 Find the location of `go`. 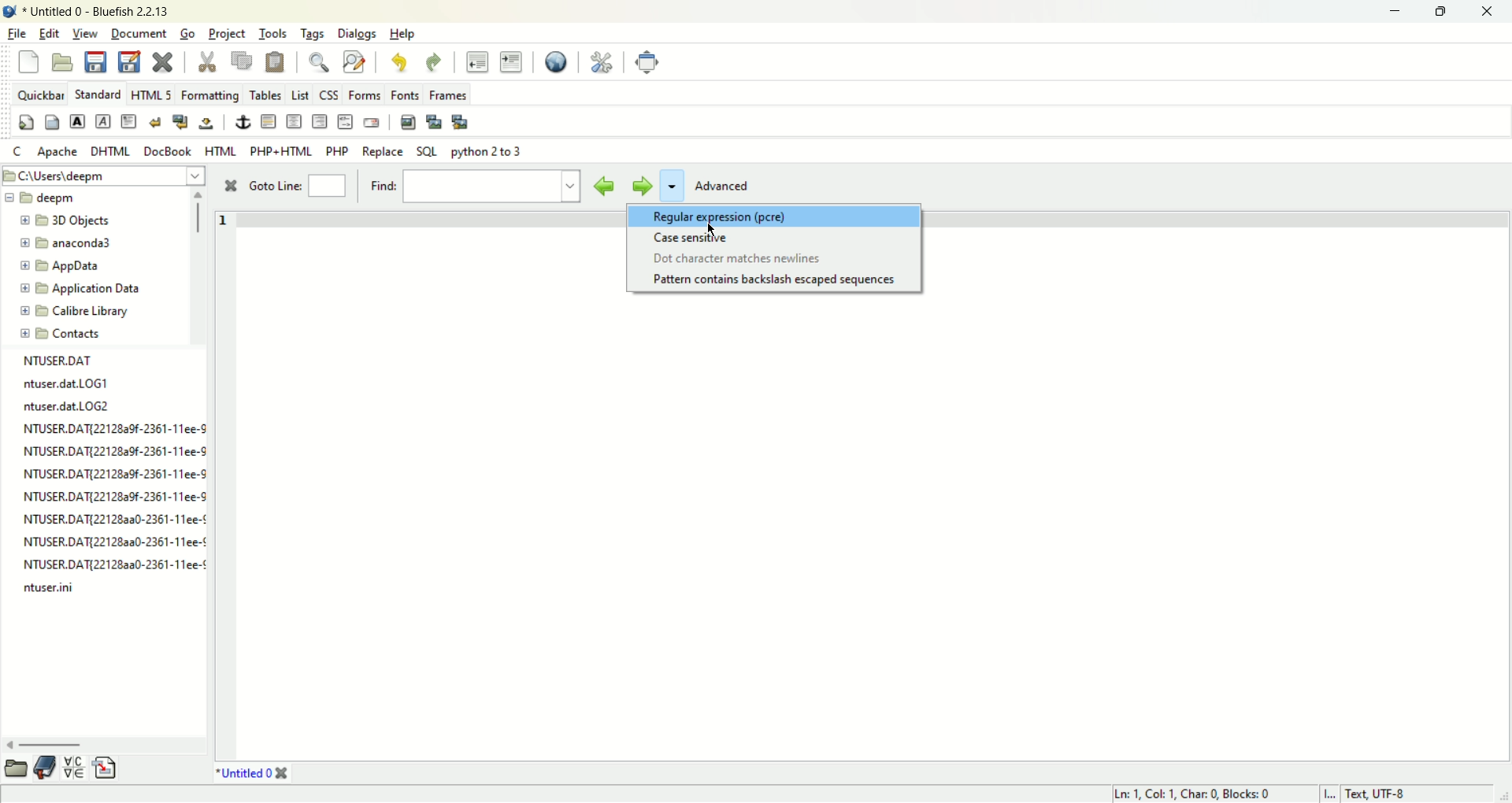

go is located at coordinates (187, 34).